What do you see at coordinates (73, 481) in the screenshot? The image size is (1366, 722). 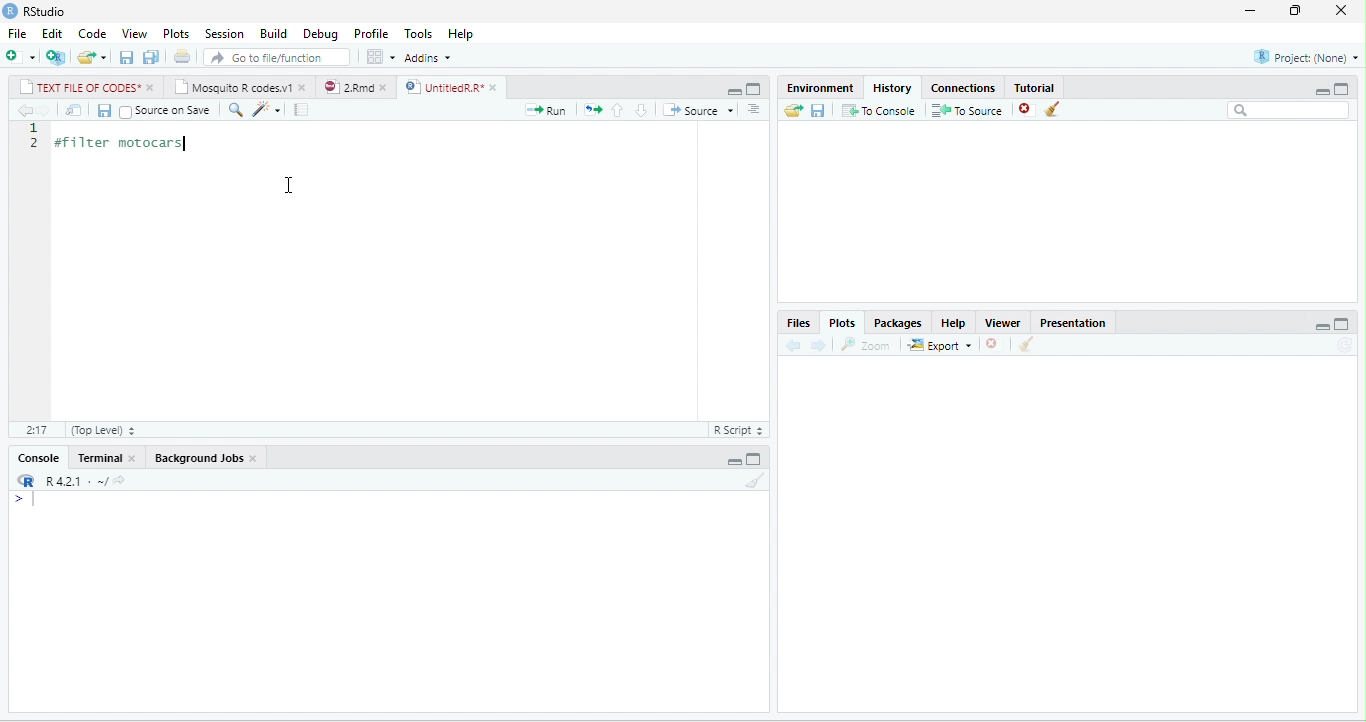 I see `R 4.2.1 ~/` at bounding box center [73, 481].